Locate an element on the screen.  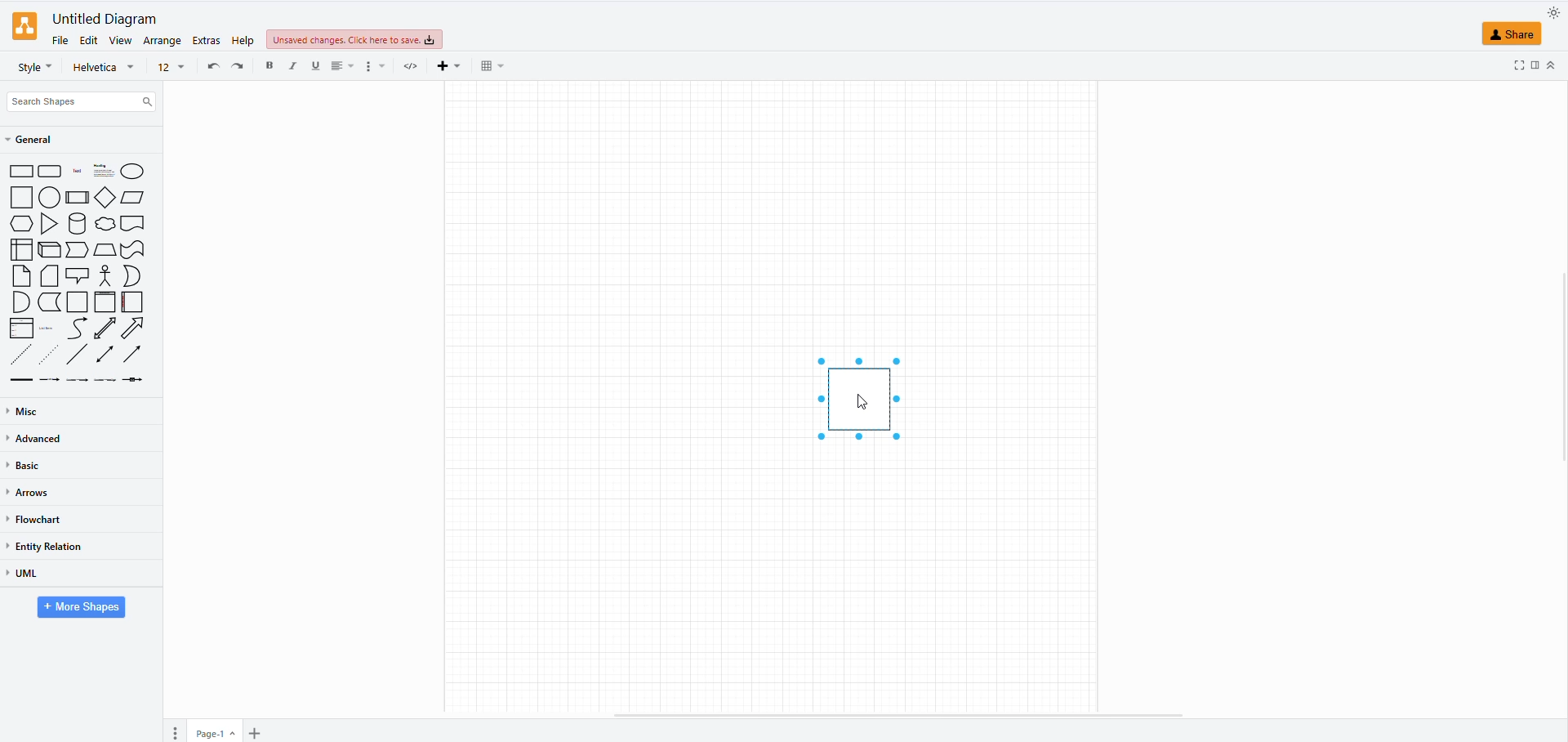
extras is located at coordinates (204, 40).